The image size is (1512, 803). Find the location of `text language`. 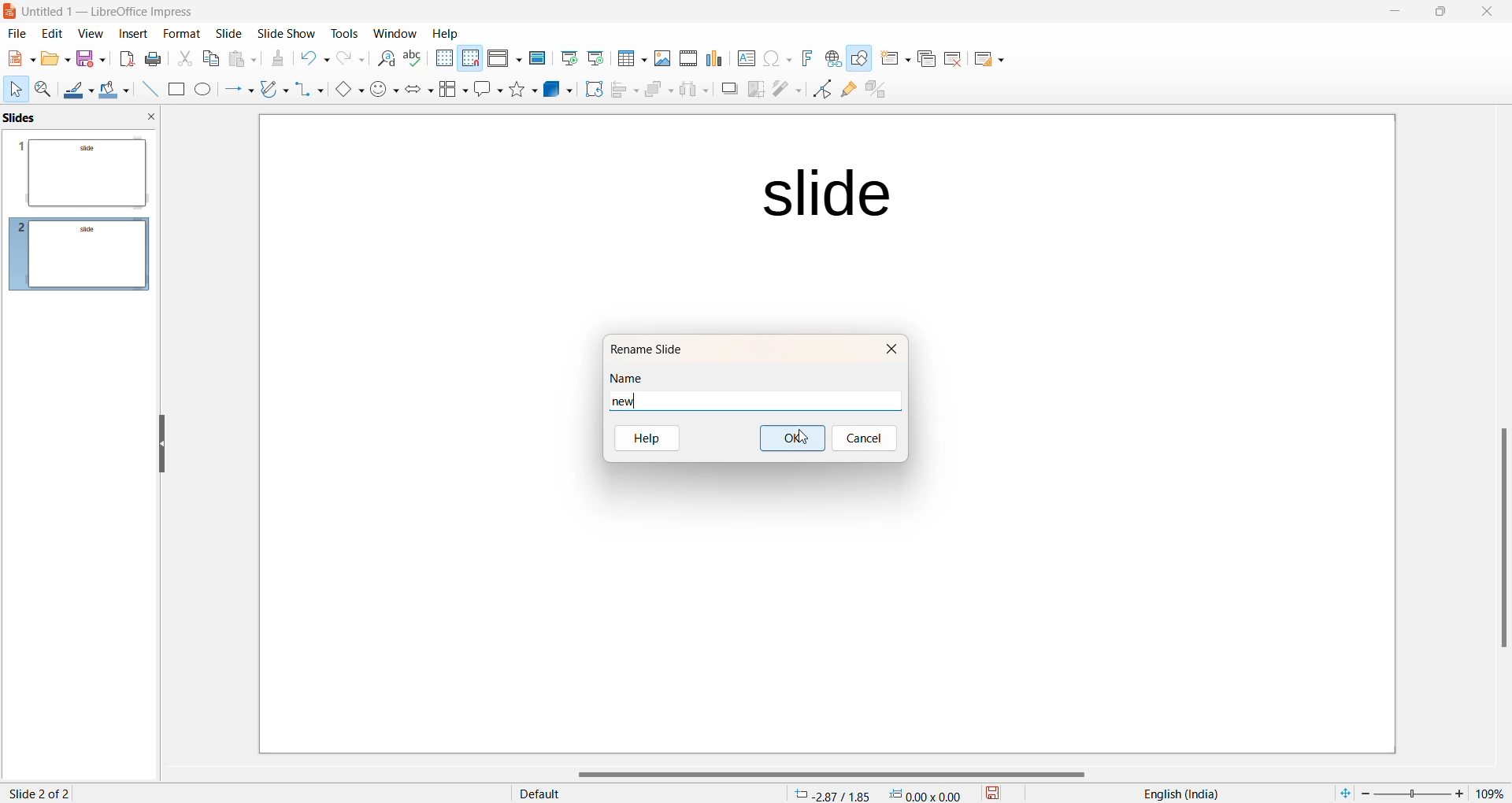

text language is located at coordinates (1185, 793).